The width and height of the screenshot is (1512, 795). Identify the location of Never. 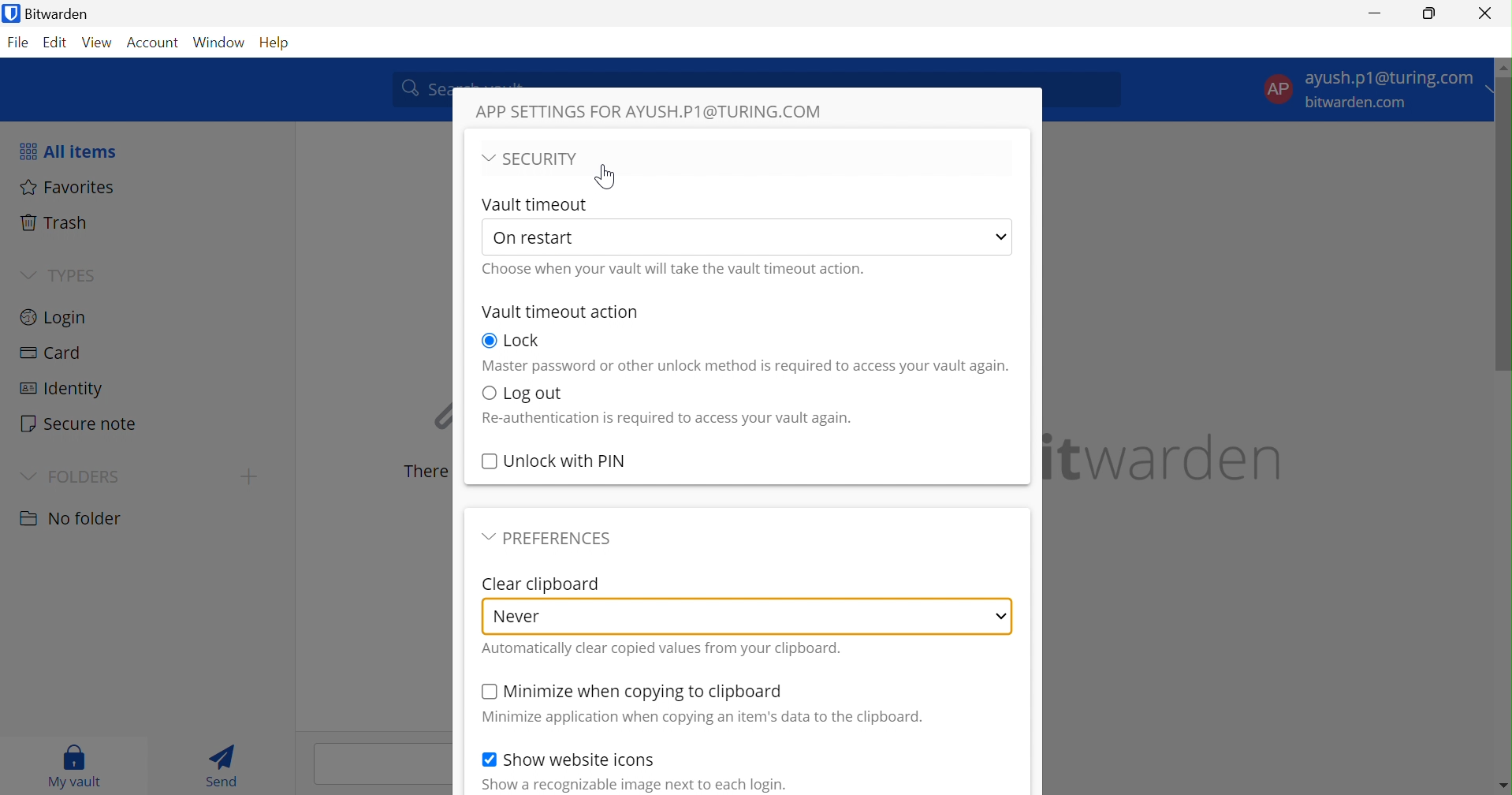
(521, 615).